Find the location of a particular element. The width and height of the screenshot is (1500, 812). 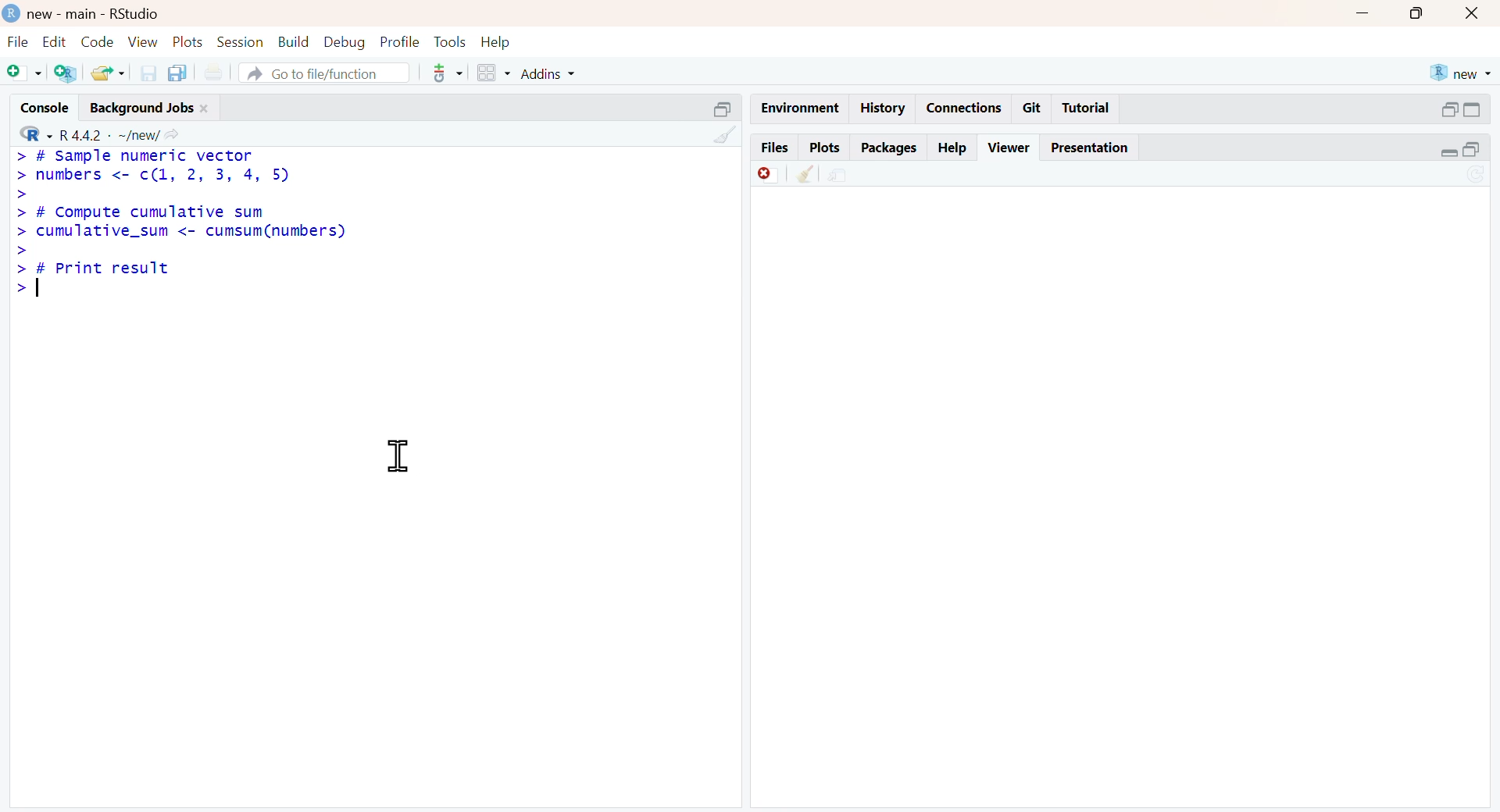

debug is located at coordinates (346, 41).